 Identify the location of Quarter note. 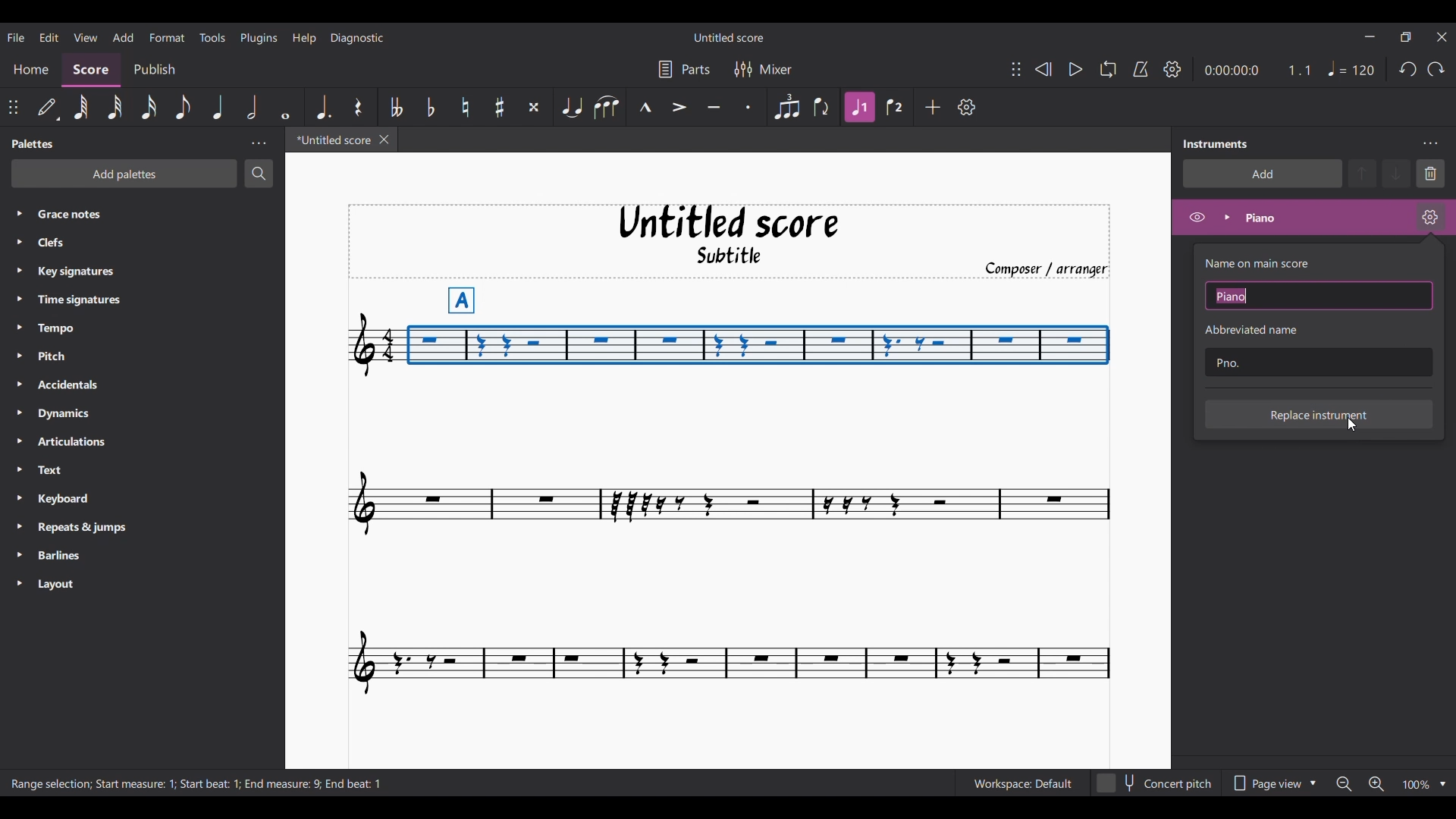
(1351, 68).